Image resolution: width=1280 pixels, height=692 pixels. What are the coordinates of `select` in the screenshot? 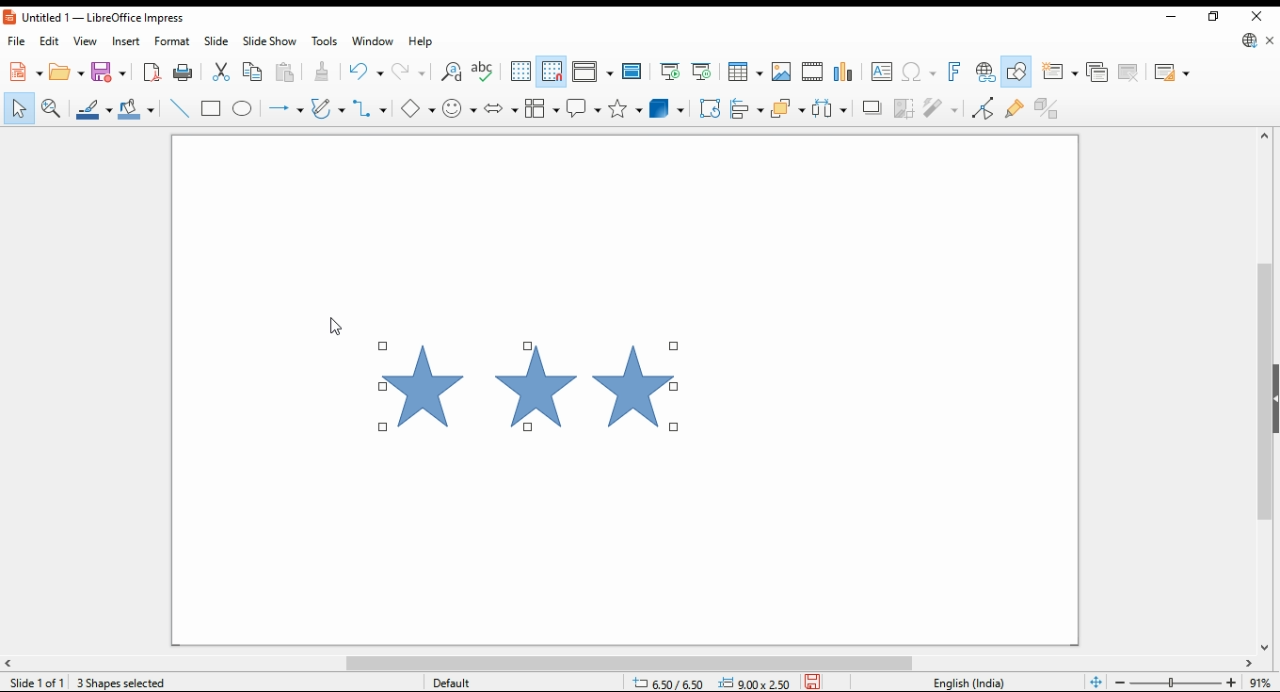 It's located at (20, 108).